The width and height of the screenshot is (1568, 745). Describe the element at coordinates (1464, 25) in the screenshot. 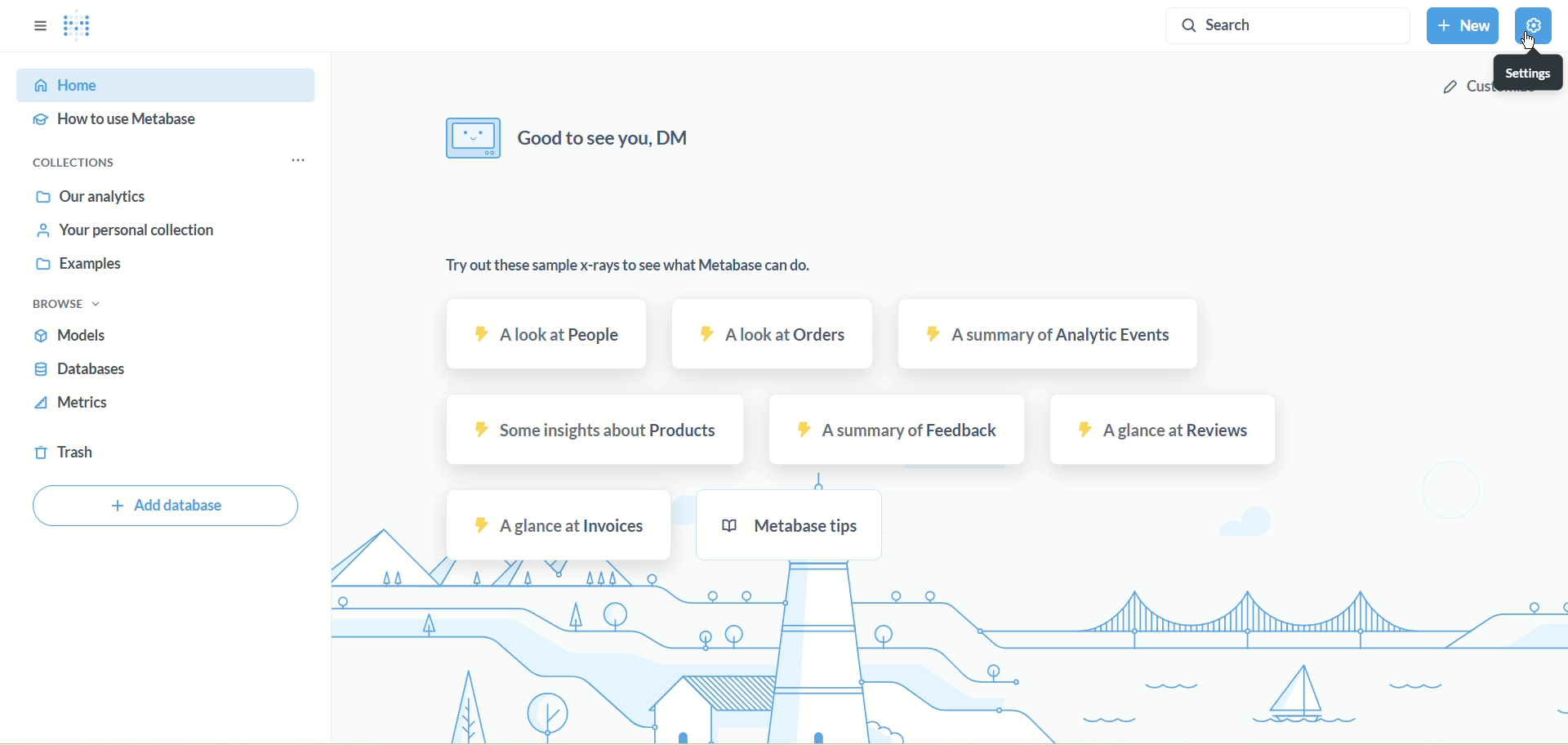

I see `new` at that location.